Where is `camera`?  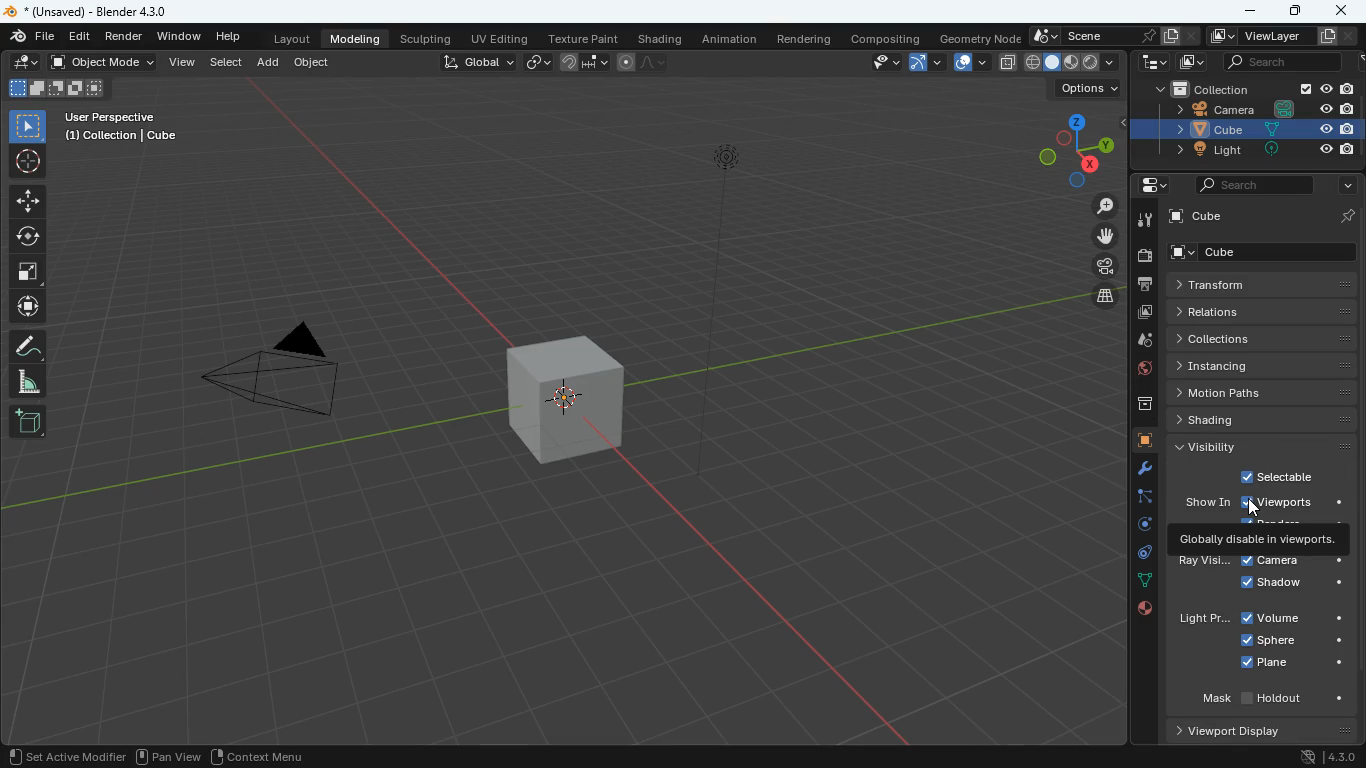 camera is located at coordinates (1099, 267).